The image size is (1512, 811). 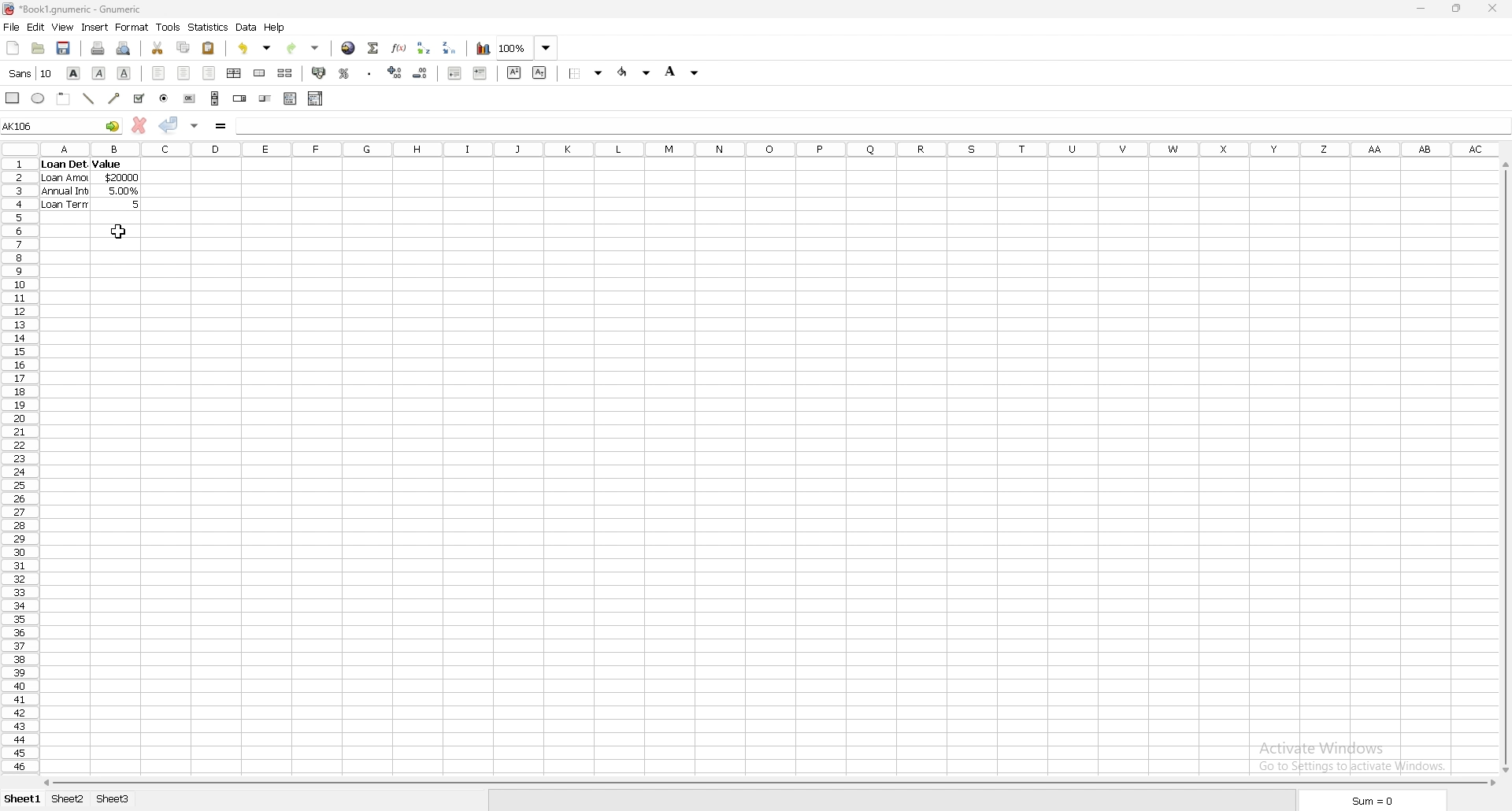 What do you see at coordinates (114, 800) in the screenshot?
I see `sheet 3` at bounding box center [114, 800].